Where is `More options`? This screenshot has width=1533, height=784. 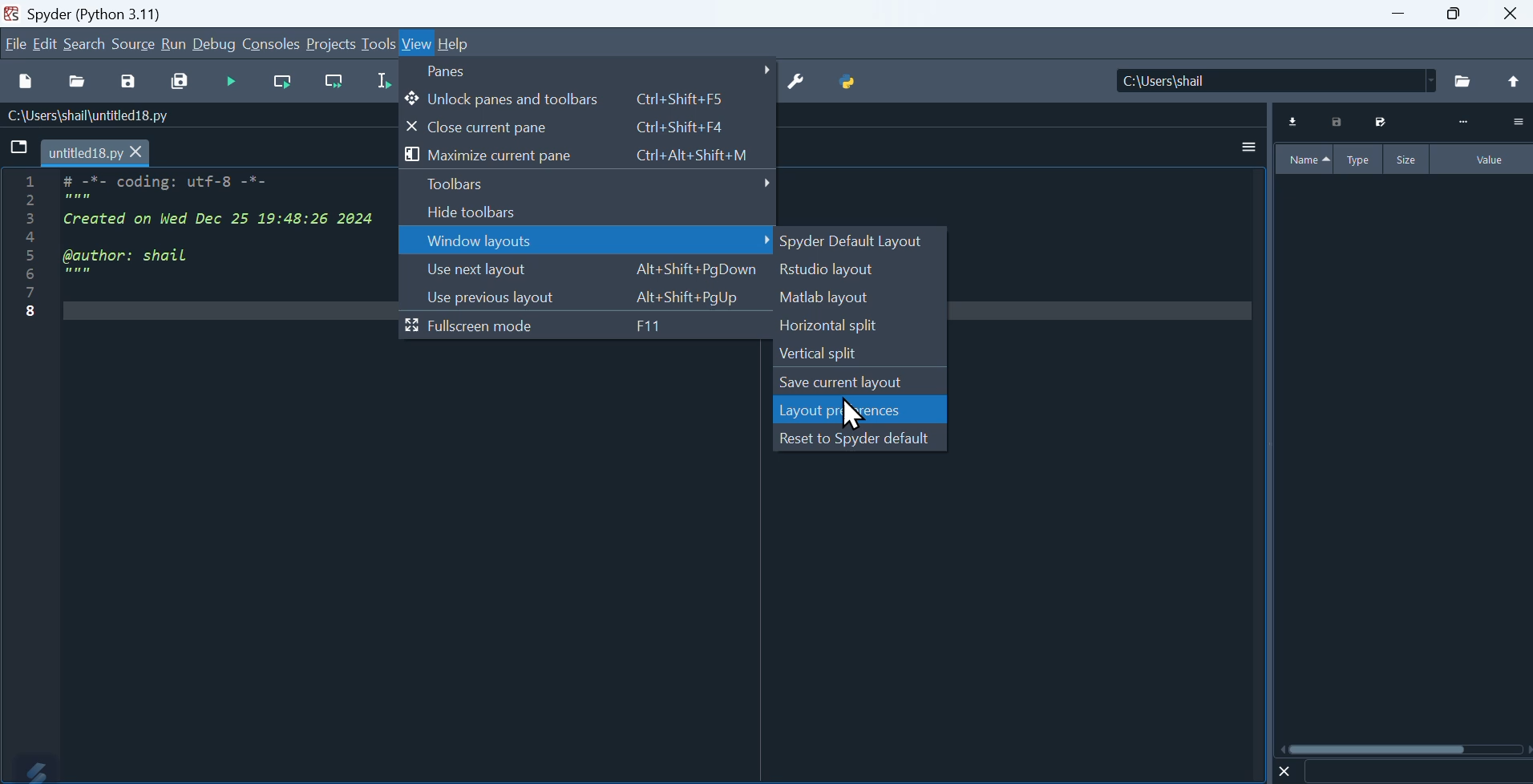 More options is located at coordinates (1249, 146).